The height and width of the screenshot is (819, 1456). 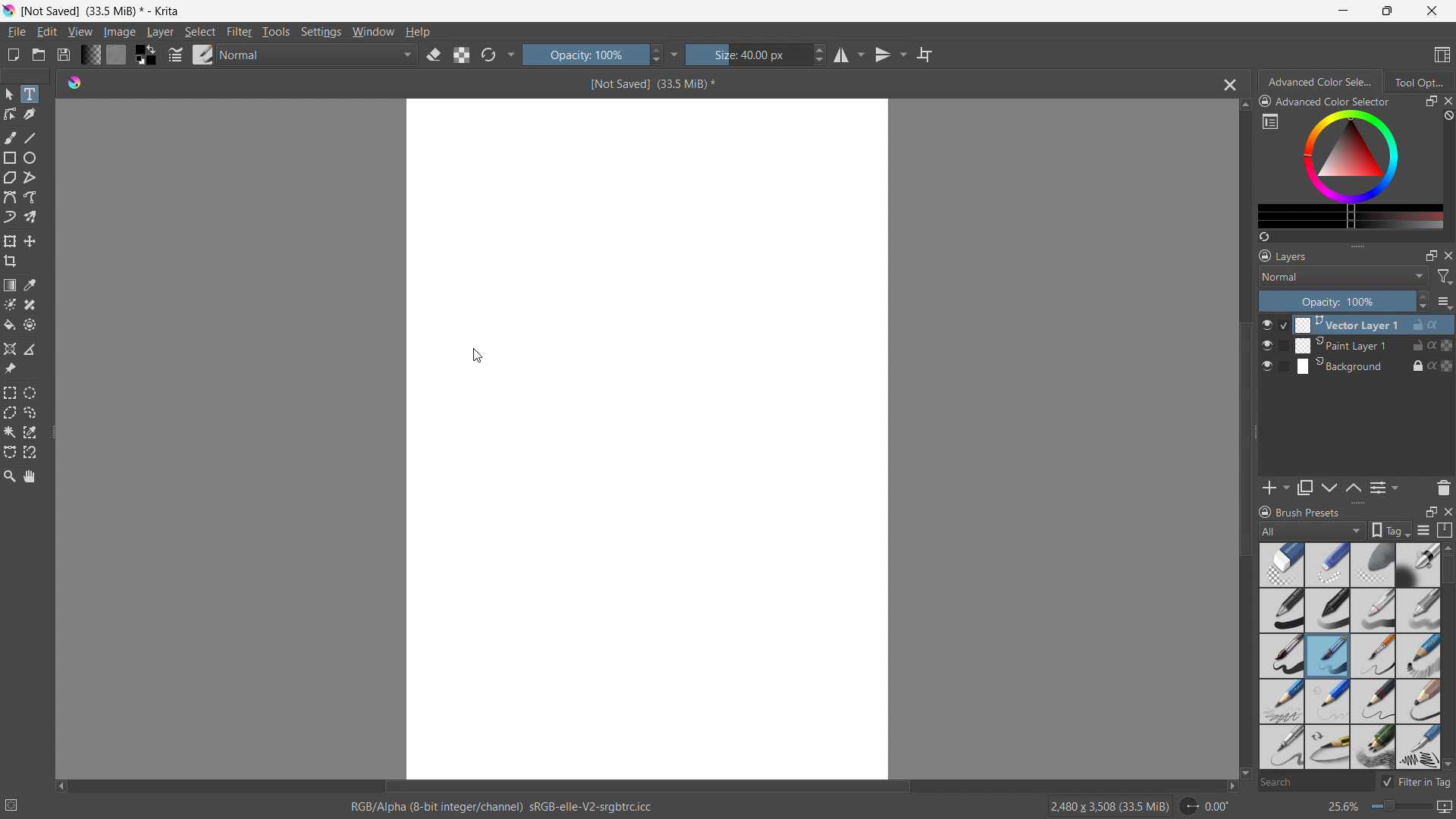 What do you see at coordinates (648, 437) in the screenshot?
I see `blank canvas` at bounding box center [648, 437].